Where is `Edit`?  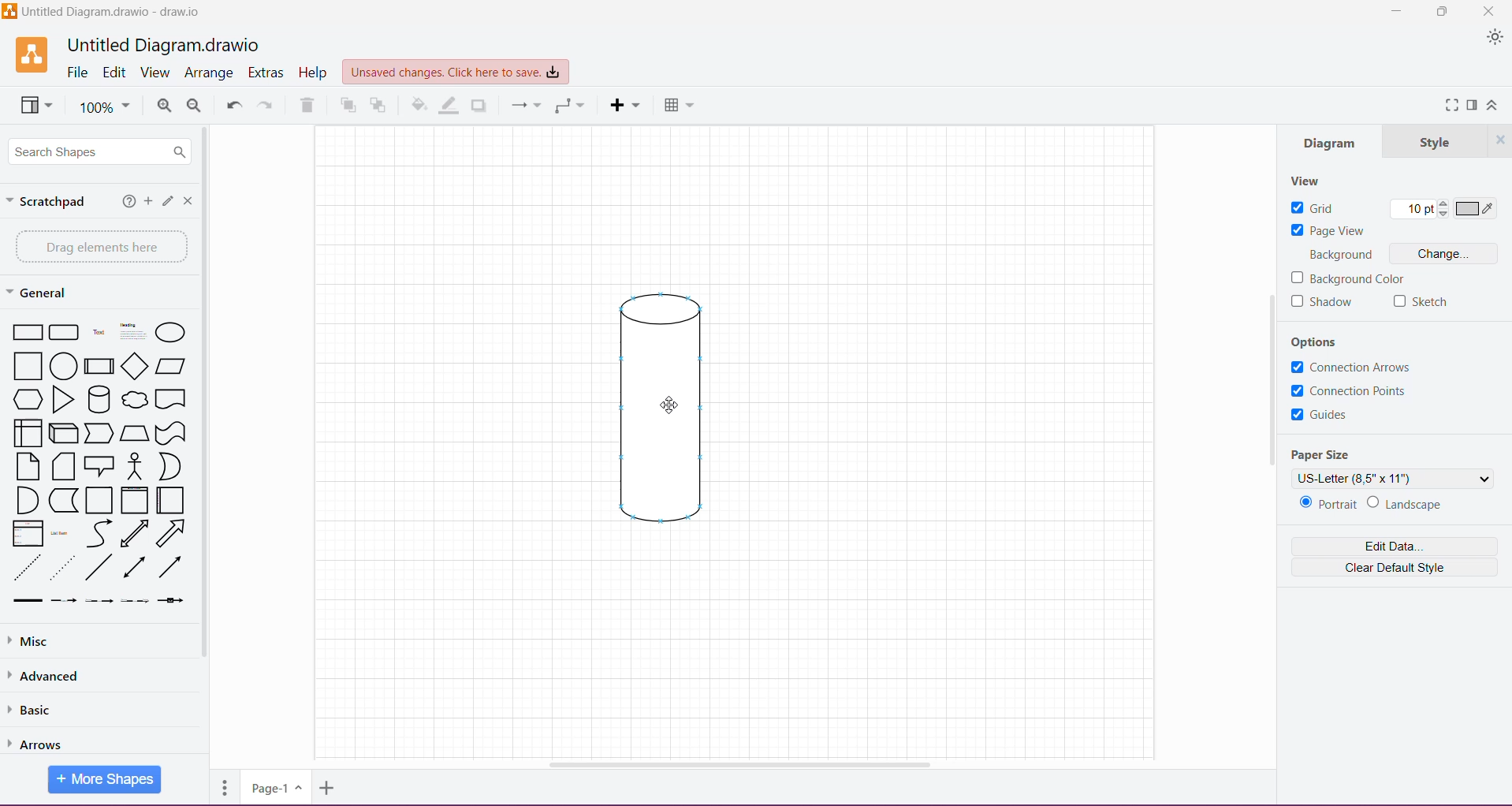
Edit is located at coordinates (166, 201).